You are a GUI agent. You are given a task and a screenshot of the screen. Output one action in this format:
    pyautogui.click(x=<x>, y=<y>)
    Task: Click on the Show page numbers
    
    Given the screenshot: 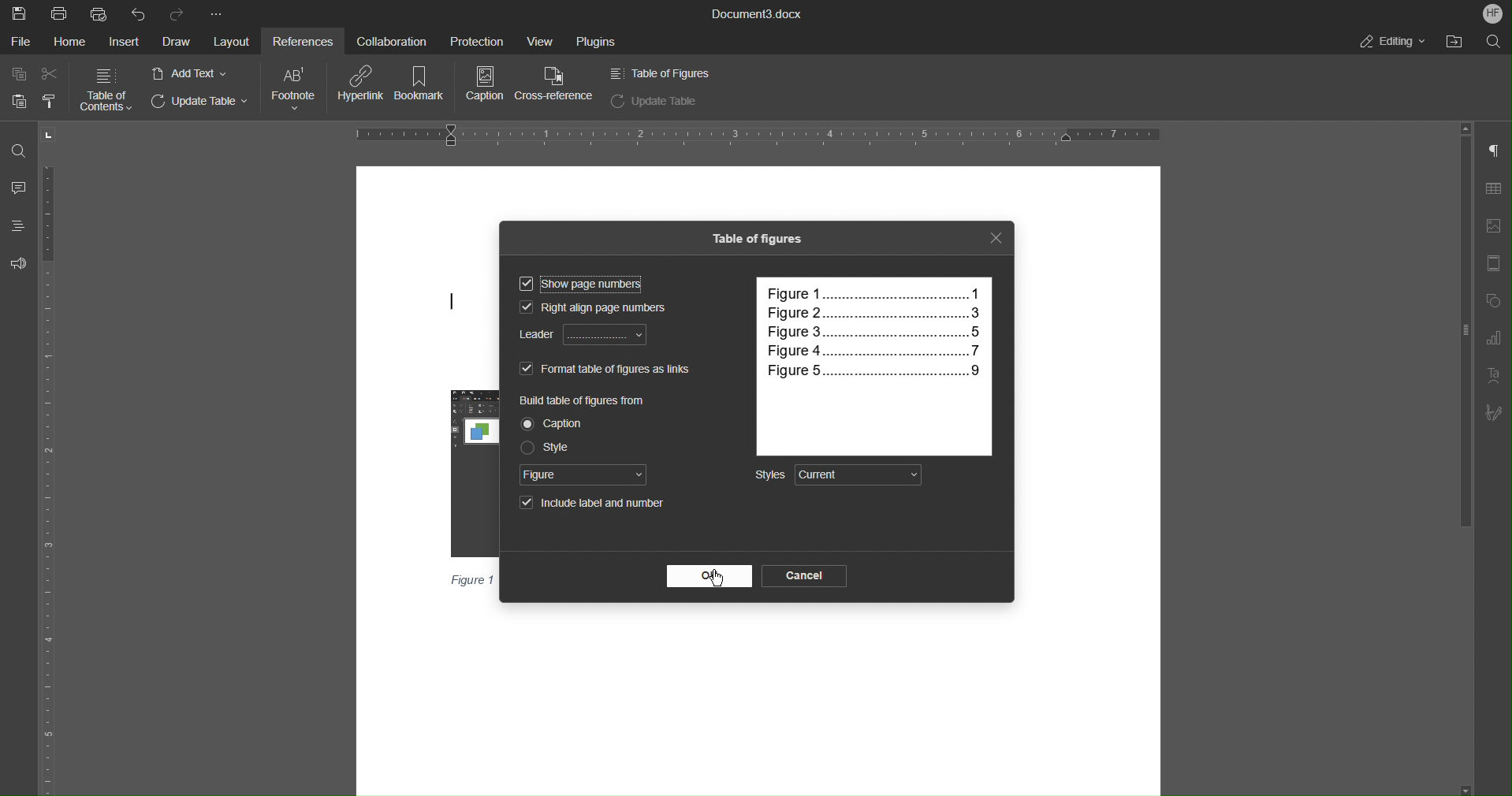 What is the action you would take?
    pyautogui.click(x=581, y=287)
    